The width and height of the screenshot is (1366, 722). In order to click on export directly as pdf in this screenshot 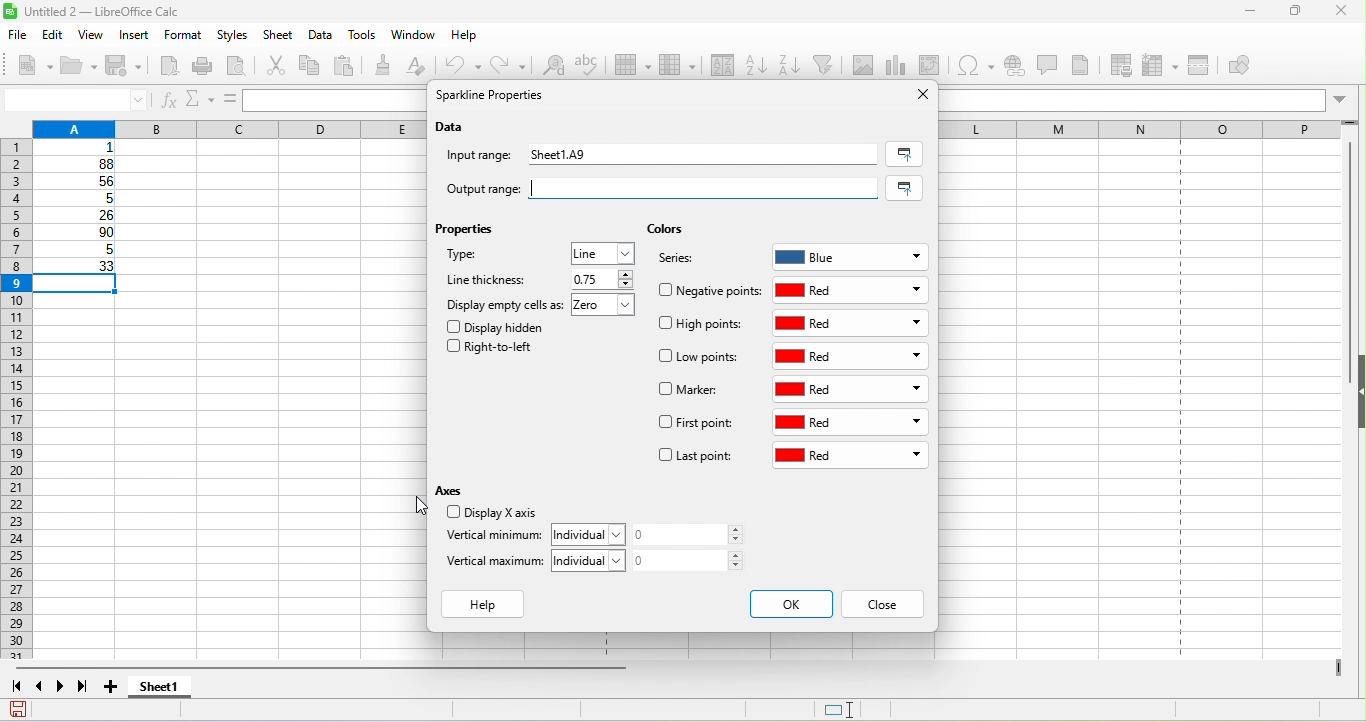, I will do `click(172, 68)`.